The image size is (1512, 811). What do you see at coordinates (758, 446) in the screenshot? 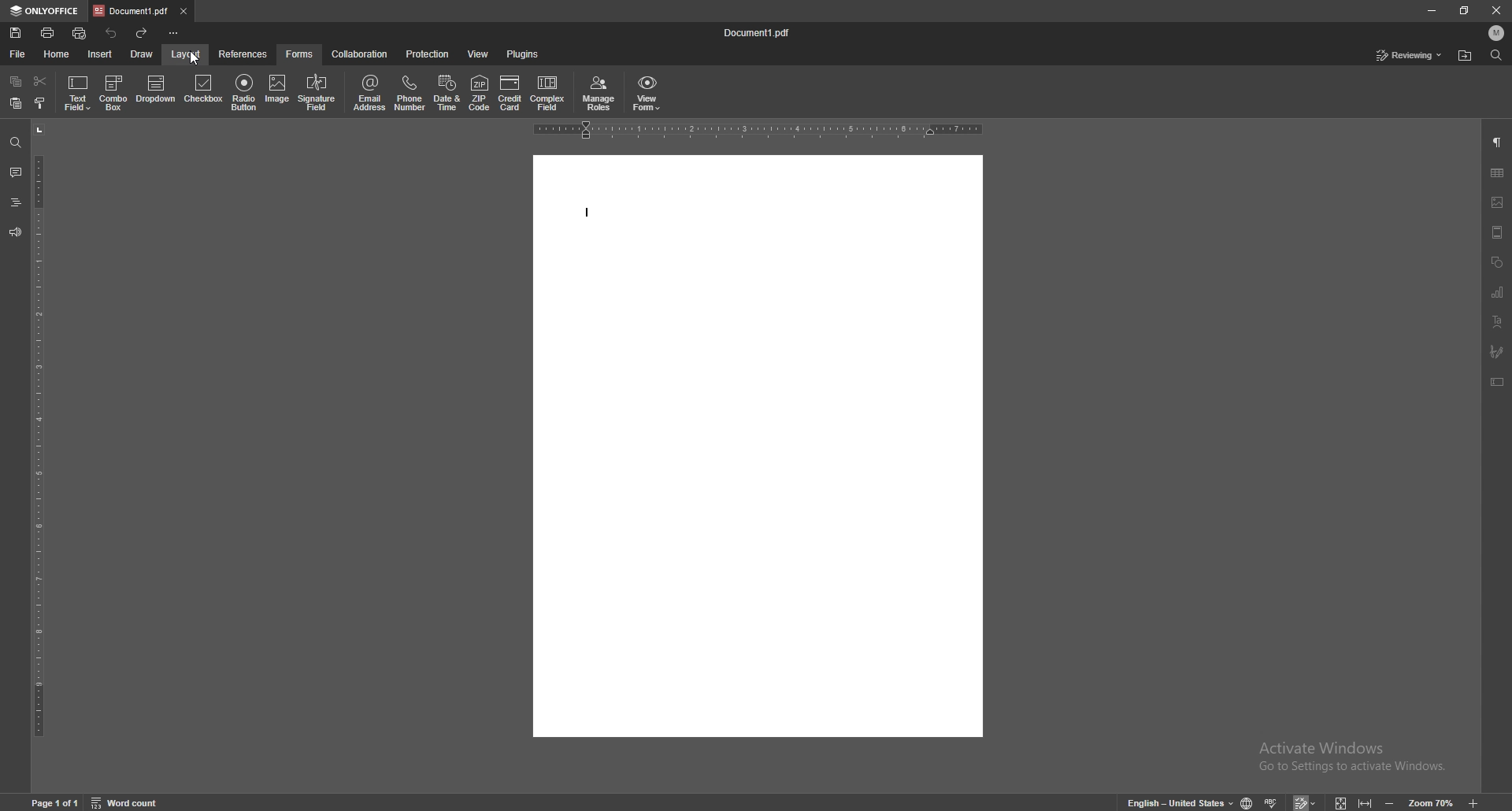
I see `document` at bounding box center [758, 446].